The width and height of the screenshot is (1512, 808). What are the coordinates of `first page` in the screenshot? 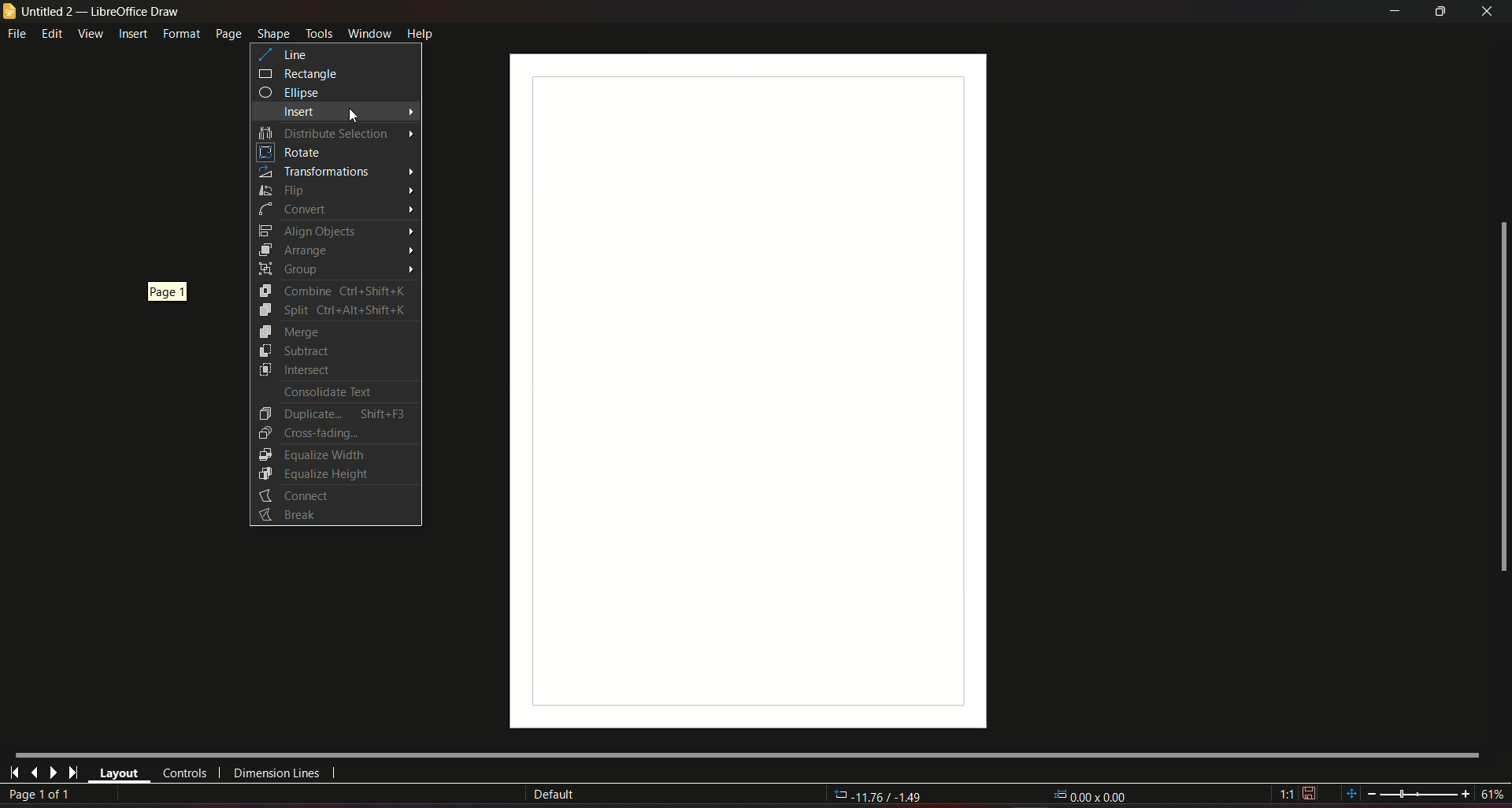 It's located at (15, 771).